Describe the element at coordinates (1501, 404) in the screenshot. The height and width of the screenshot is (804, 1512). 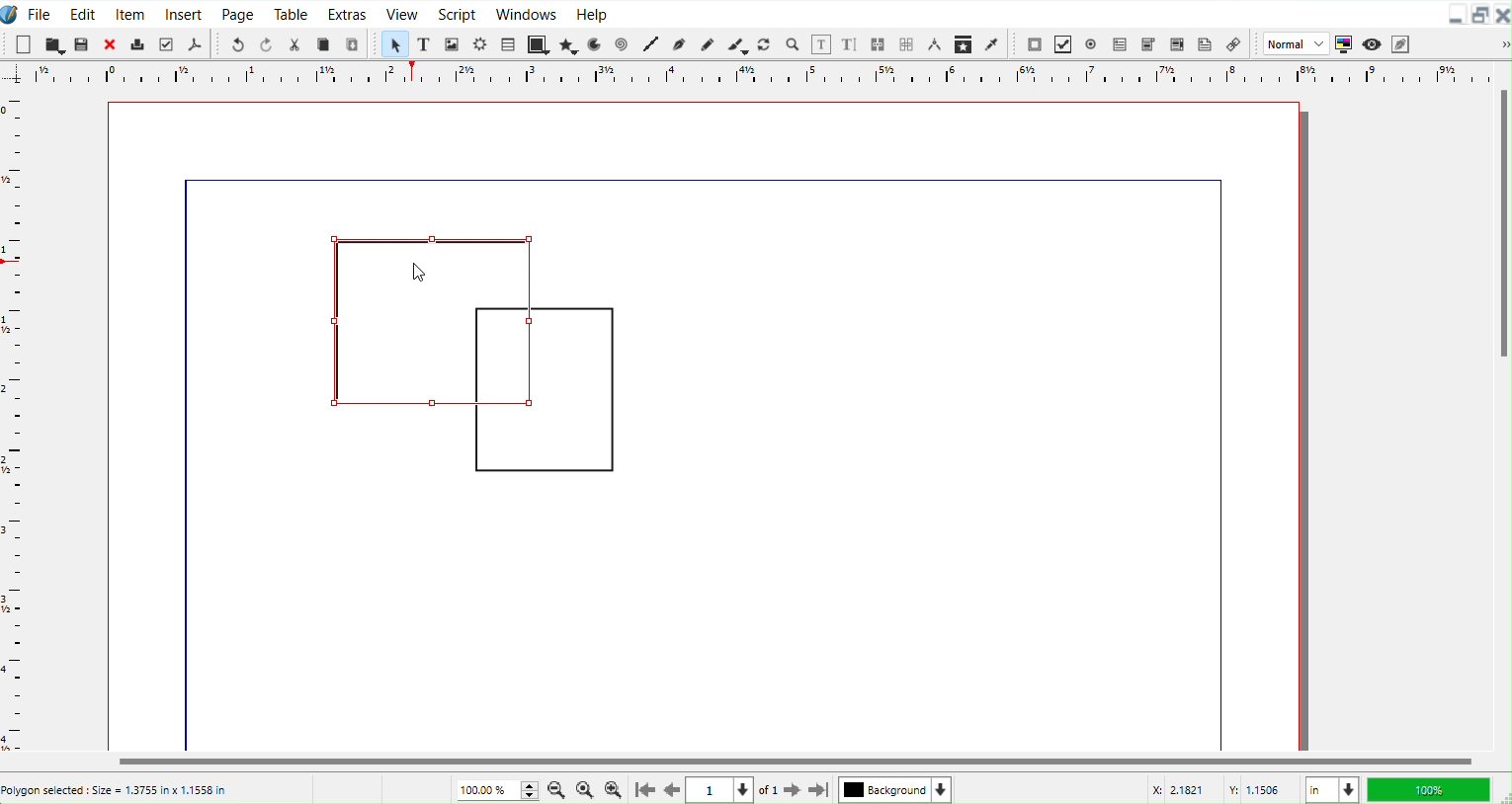
I see `Vertical Scroll Bar` at that location.